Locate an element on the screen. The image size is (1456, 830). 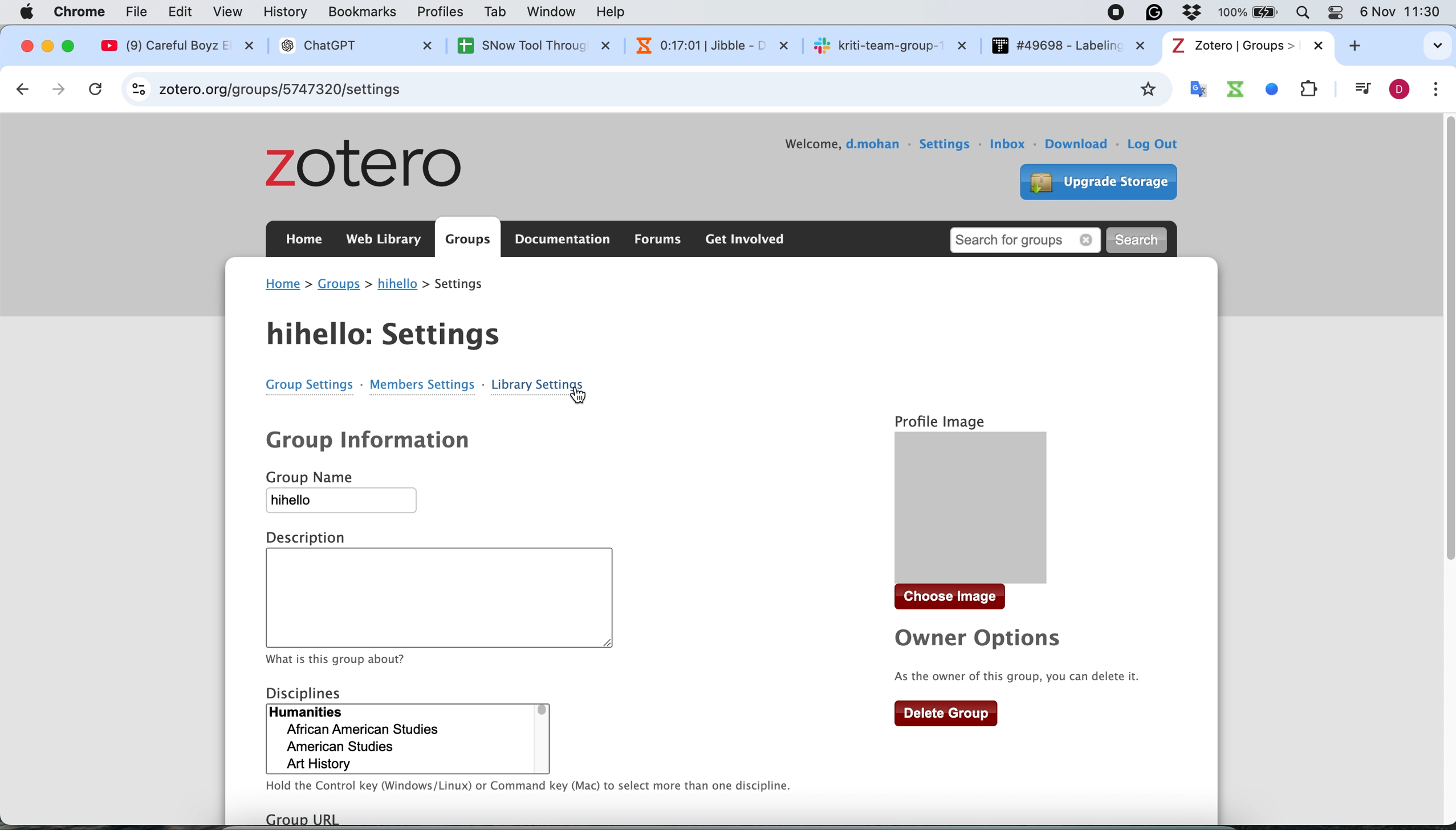
group library is located at coordinates (300, 394).